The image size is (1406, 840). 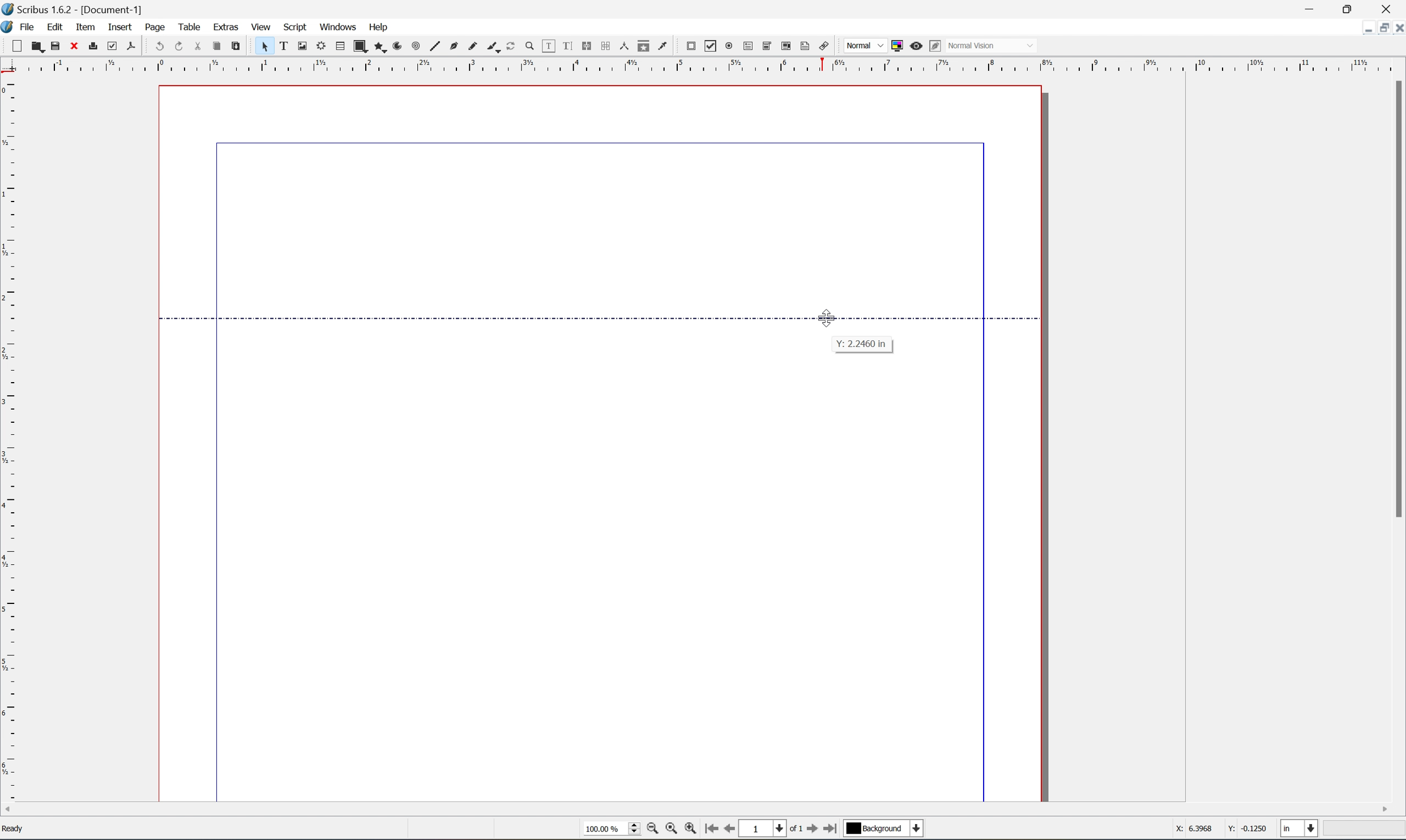 I want to click on ruler, so click(x=706, y=63).